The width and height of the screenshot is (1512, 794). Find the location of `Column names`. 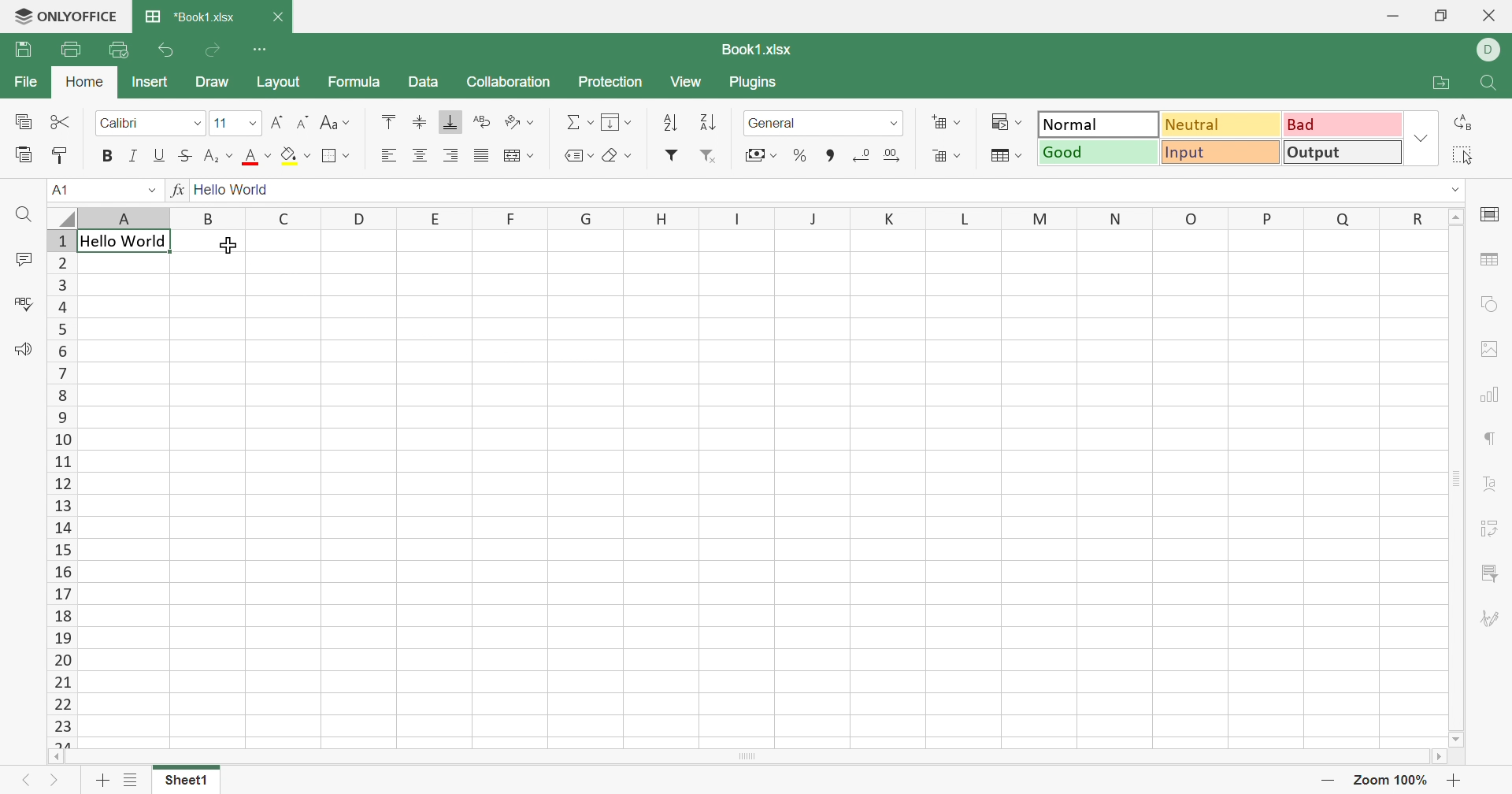

Column names is located at coordinates (754, 217).